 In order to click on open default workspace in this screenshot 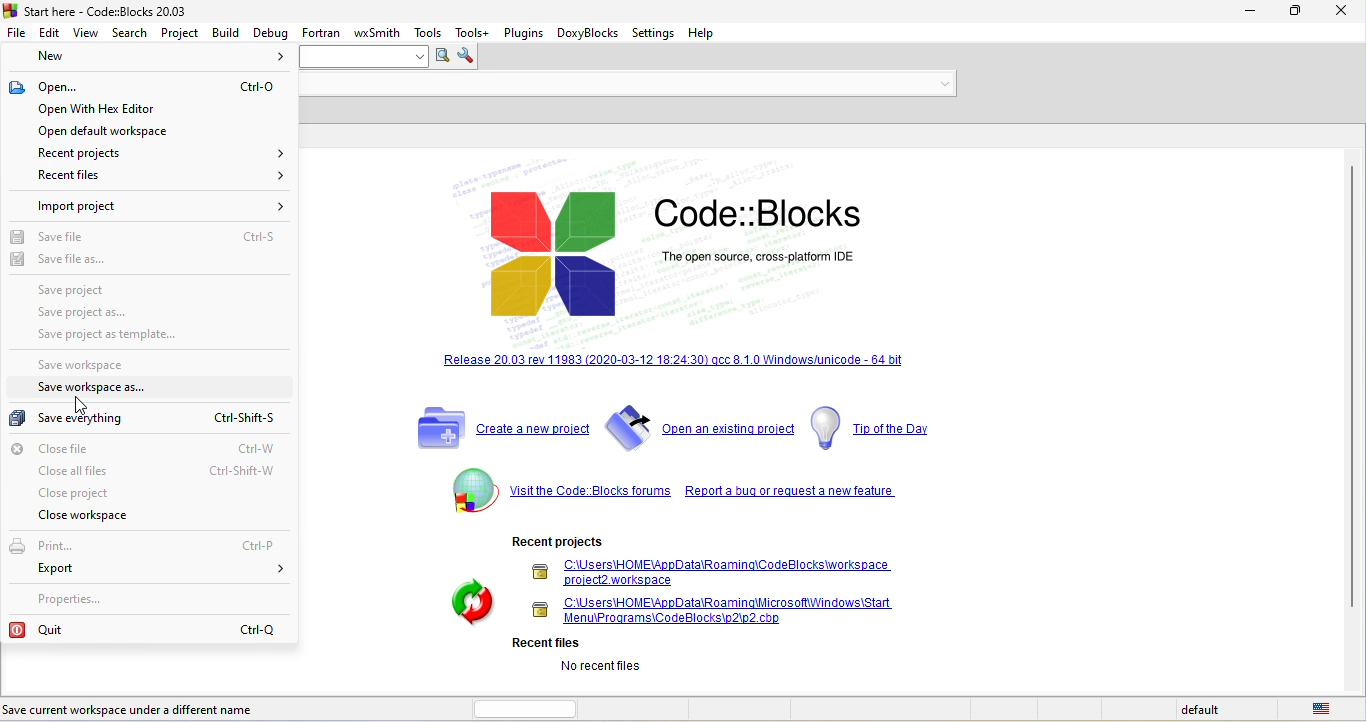, I will do `click(135, 132)`.